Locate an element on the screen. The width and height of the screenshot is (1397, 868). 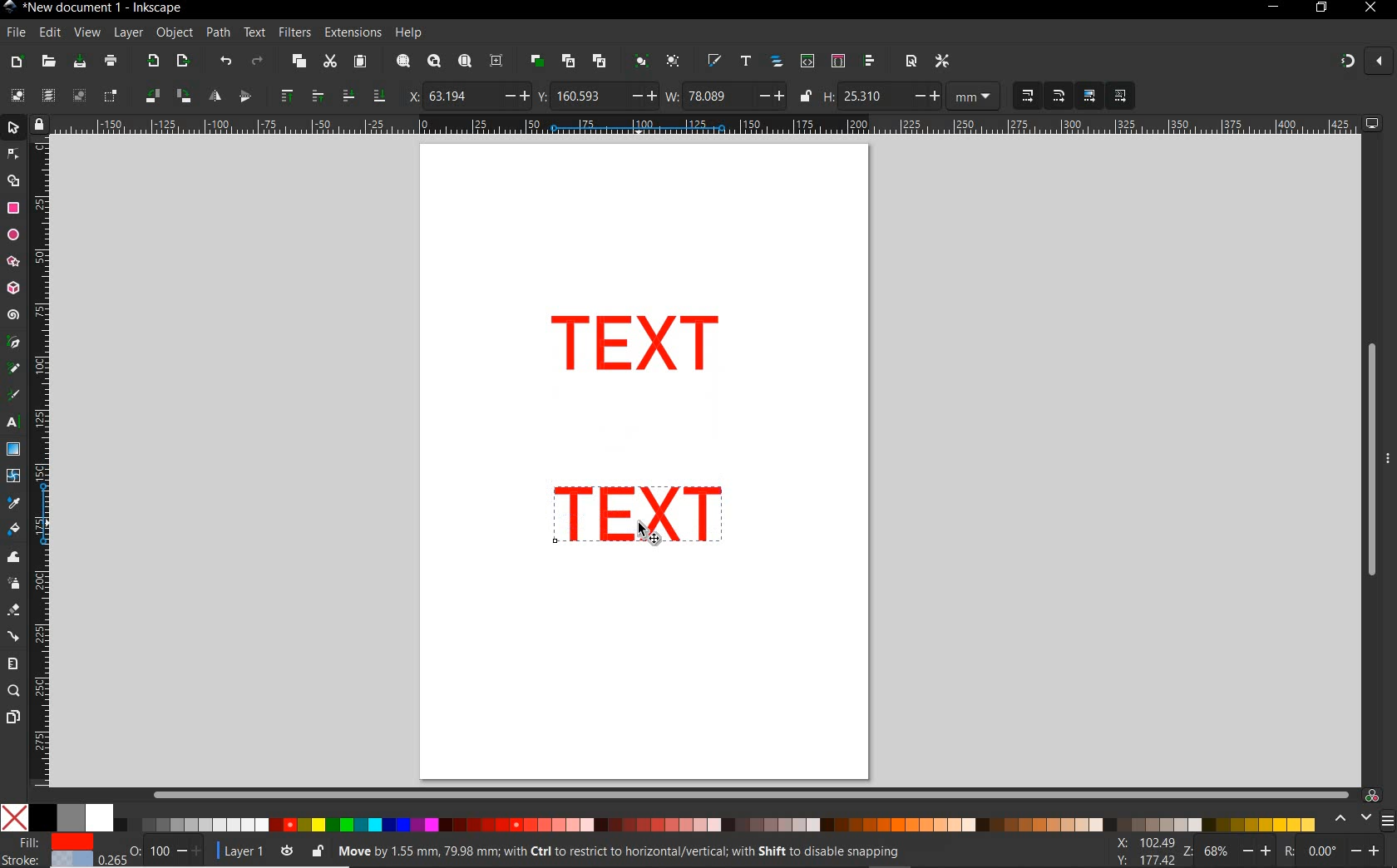
spiral tool is located at coordinates (13, 317).